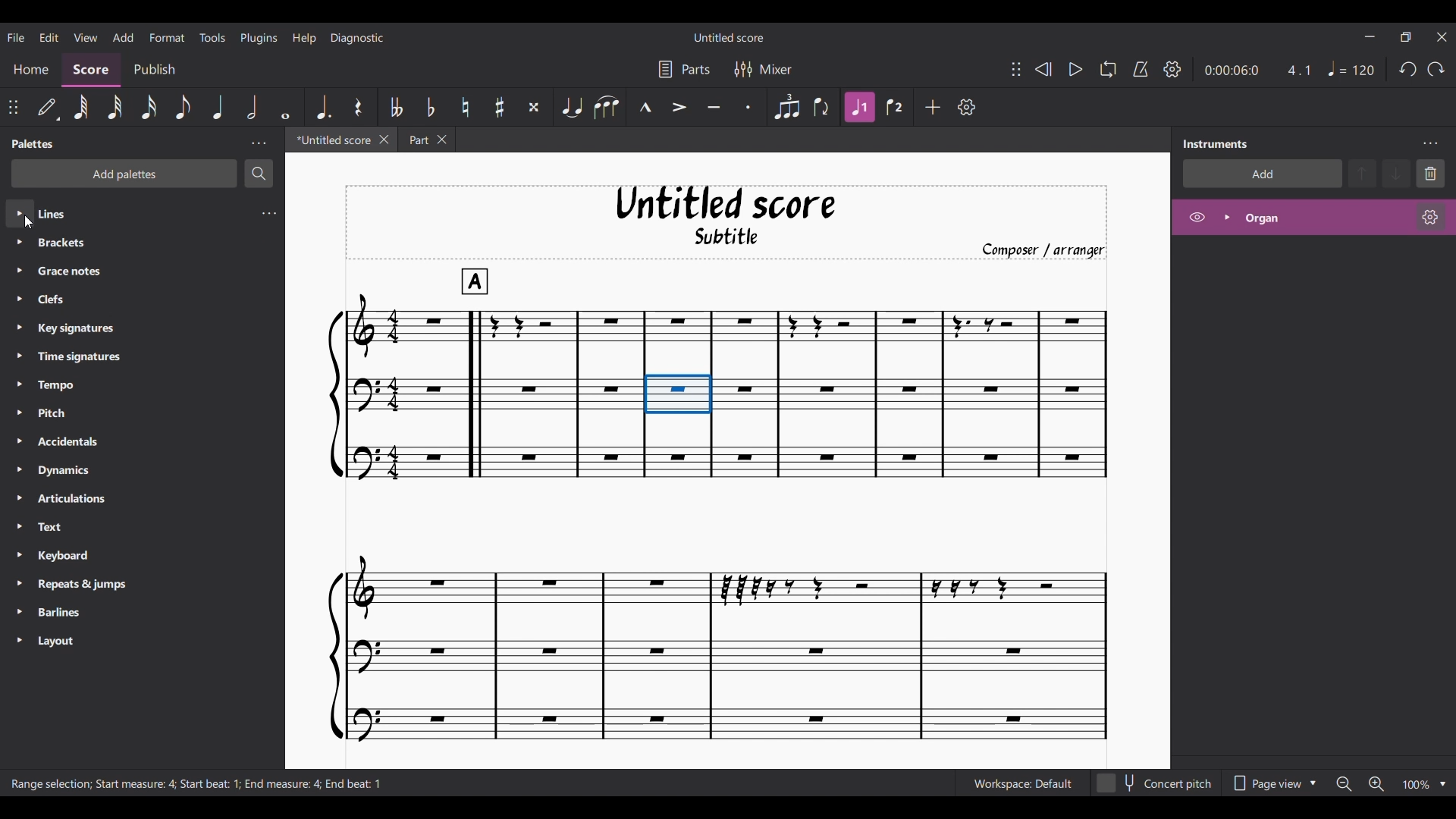  I want to click on Tuplet, so click(786, 108).